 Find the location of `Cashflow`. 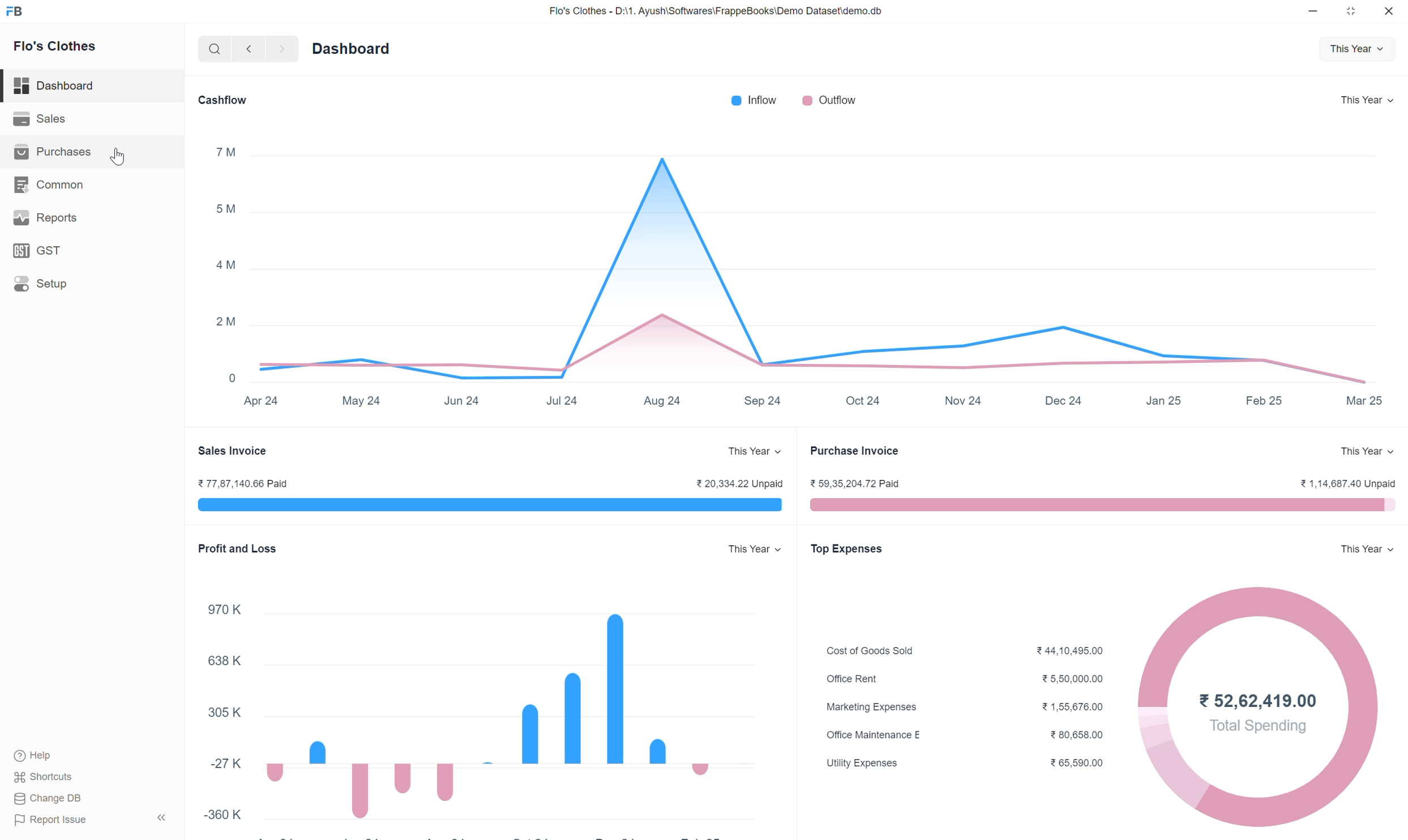

Cashflow is located at coordinates (222, 100).